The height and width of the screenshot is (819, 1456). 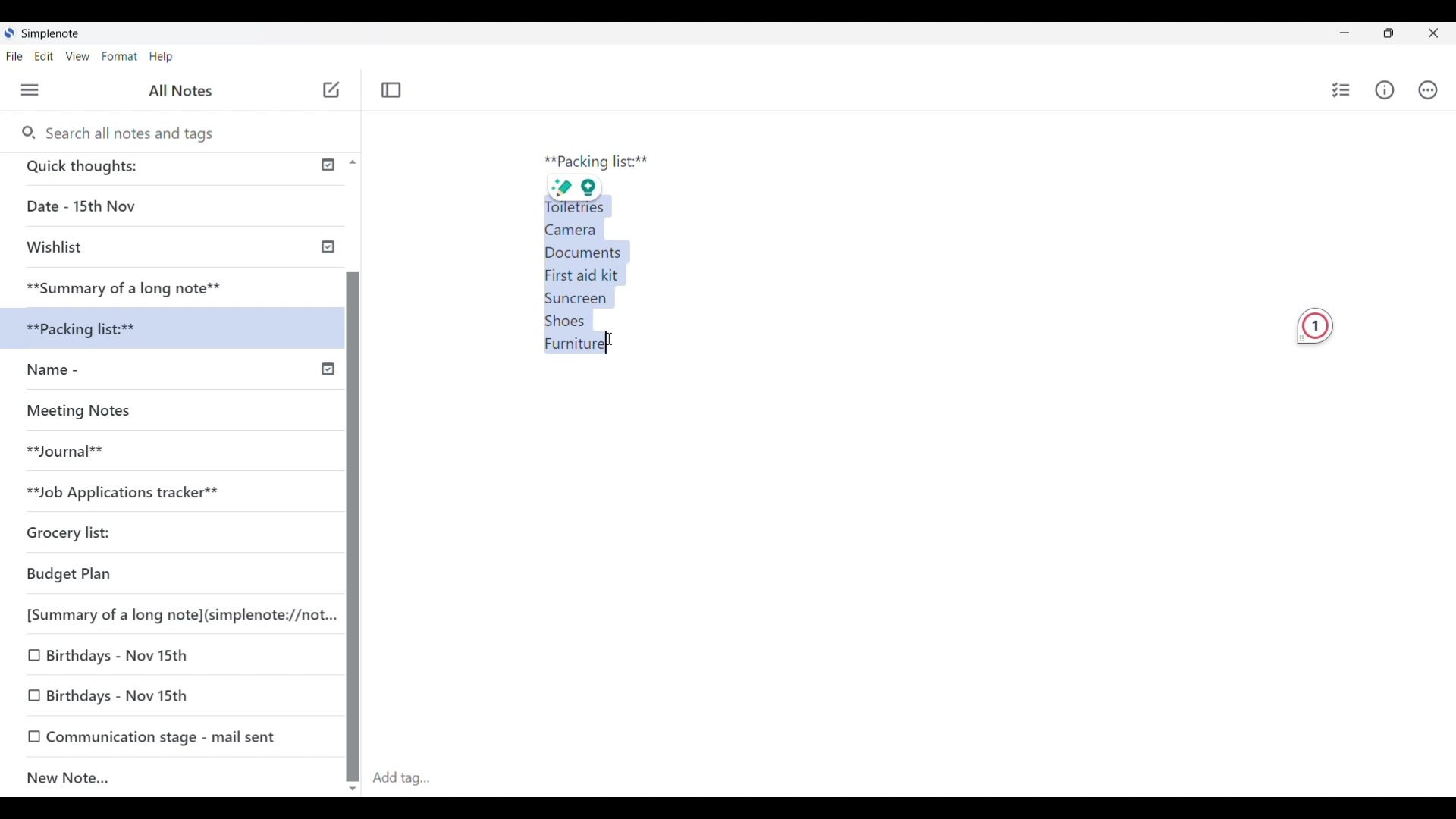 What do you see at coordinates (183, 89) in the screenshot?
I see `Title of left panel` at bounding box center [183, 89].